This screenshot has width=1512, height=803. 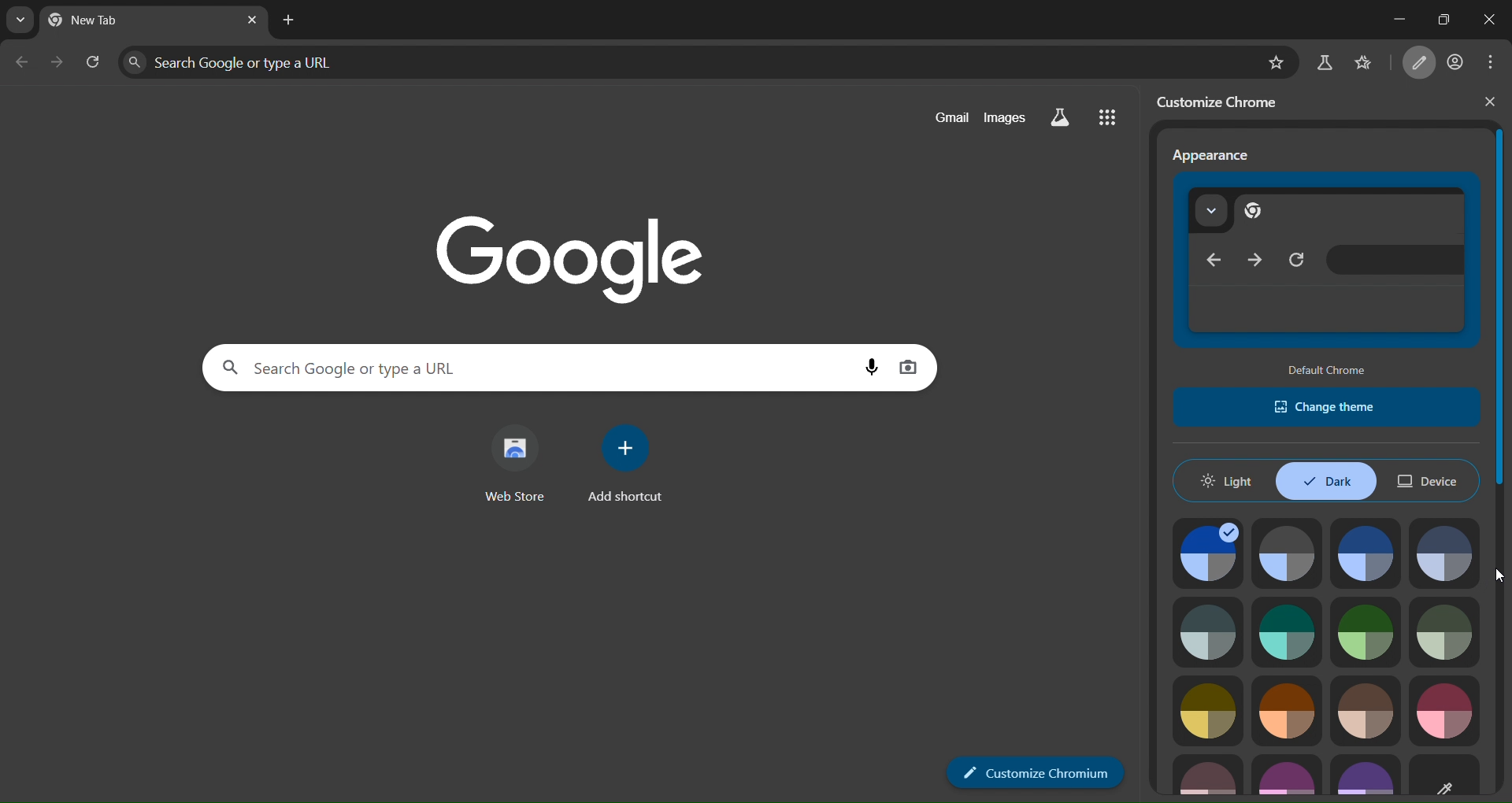 I want to click on add shortcut, so click(x=632, y=468).